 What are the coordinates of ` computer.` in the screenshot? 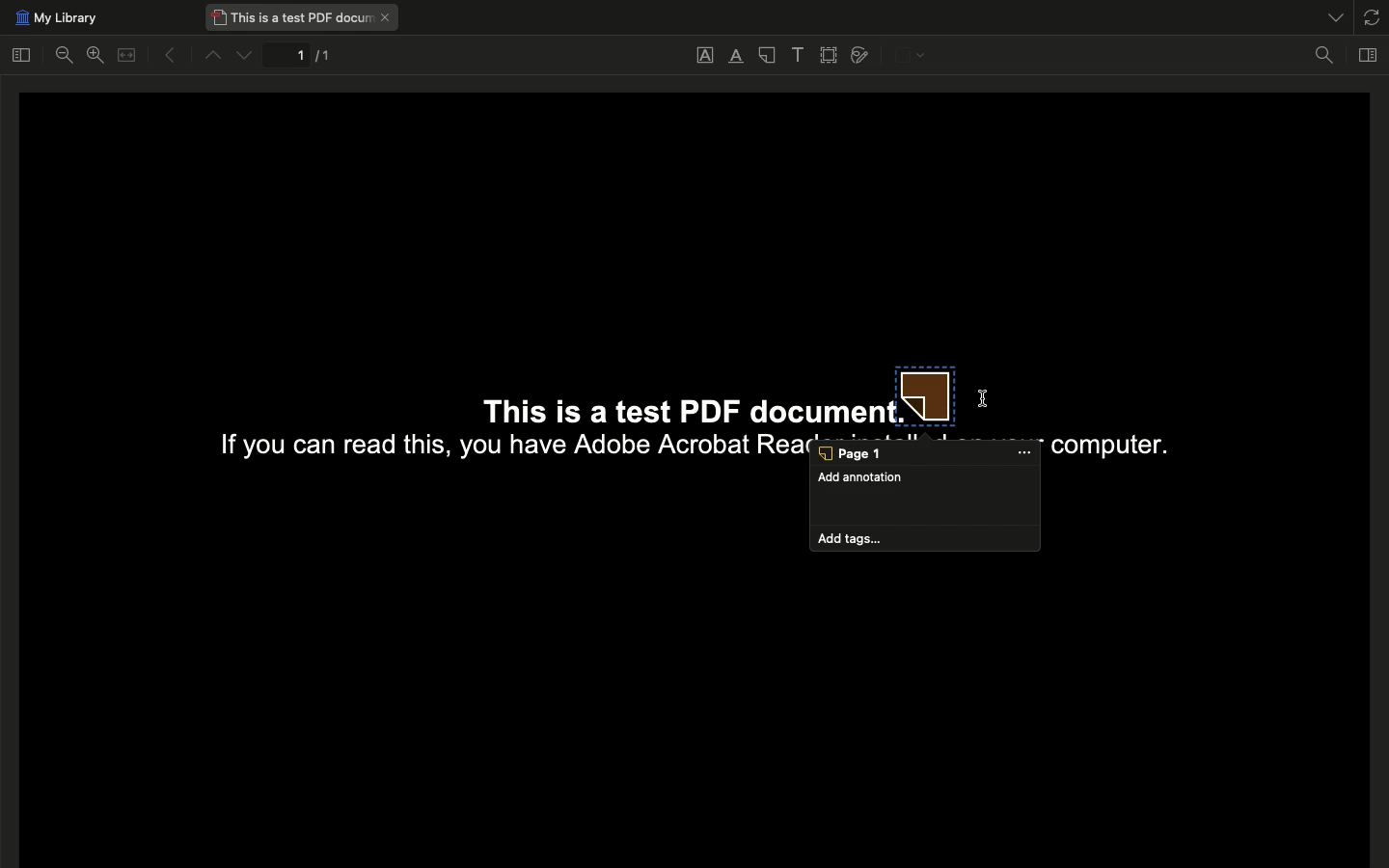 It's located at (1106, 446).